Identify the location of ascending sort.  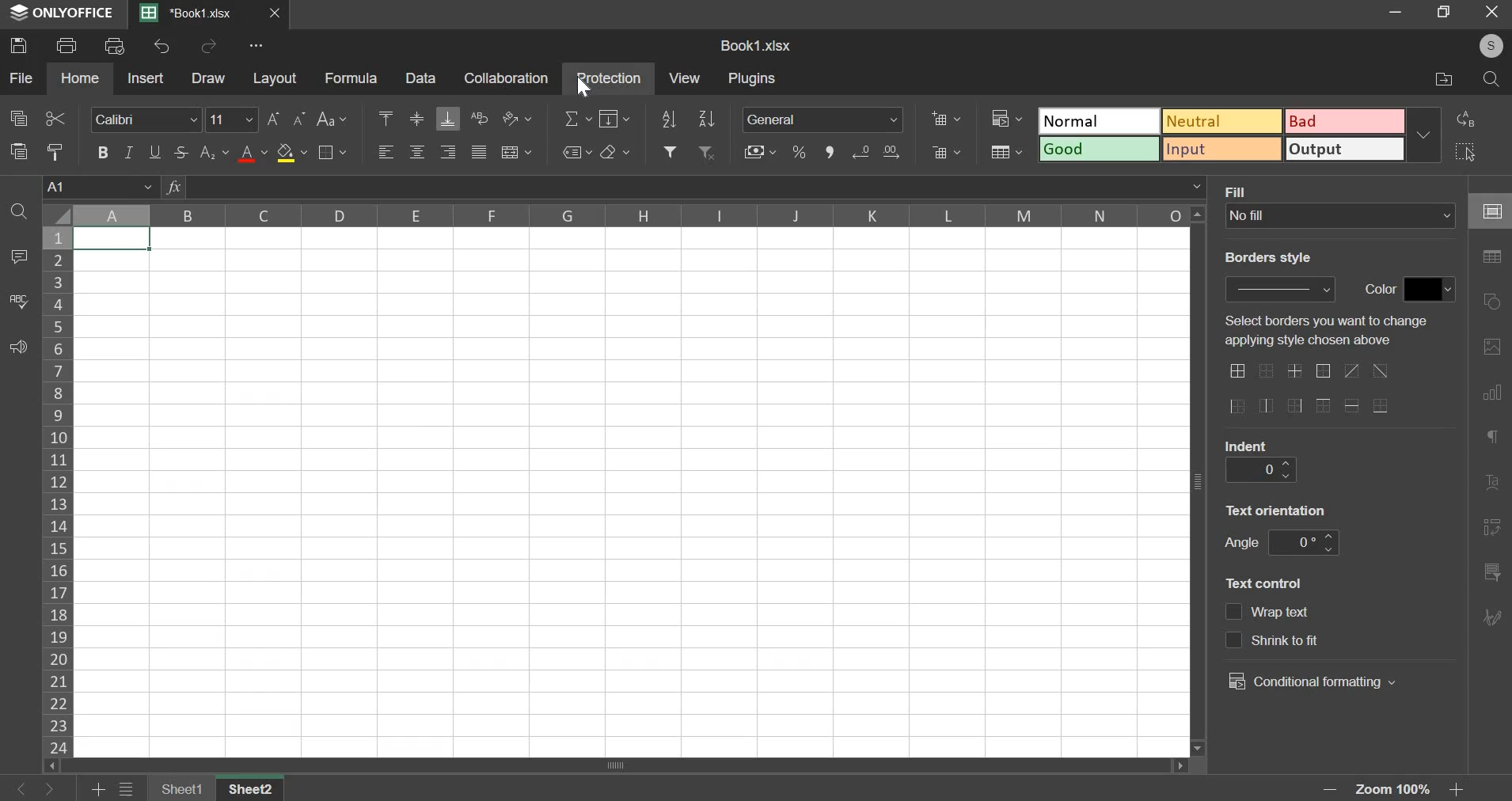
(669, 119).